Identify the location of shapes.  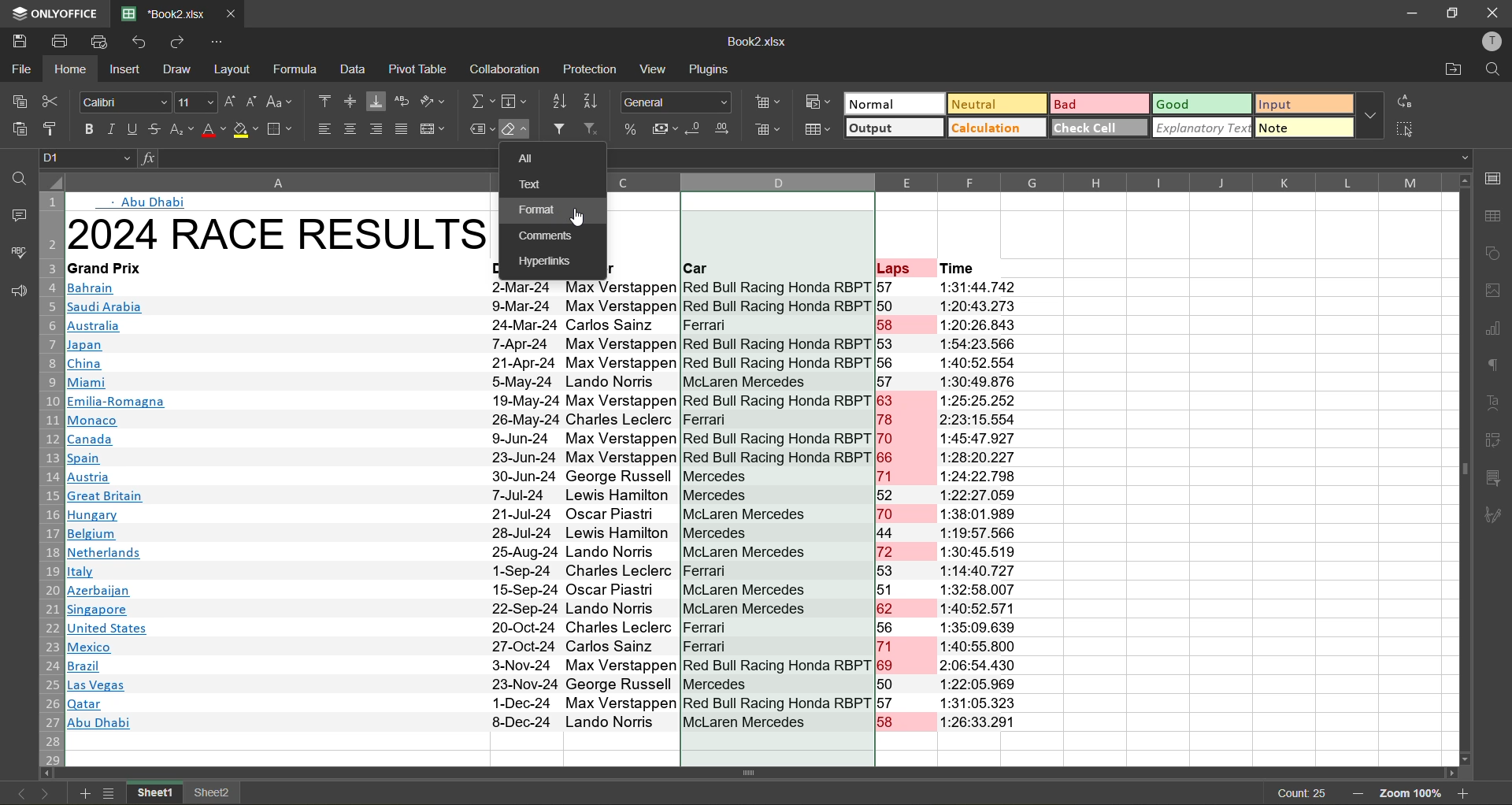
(1497, 255).